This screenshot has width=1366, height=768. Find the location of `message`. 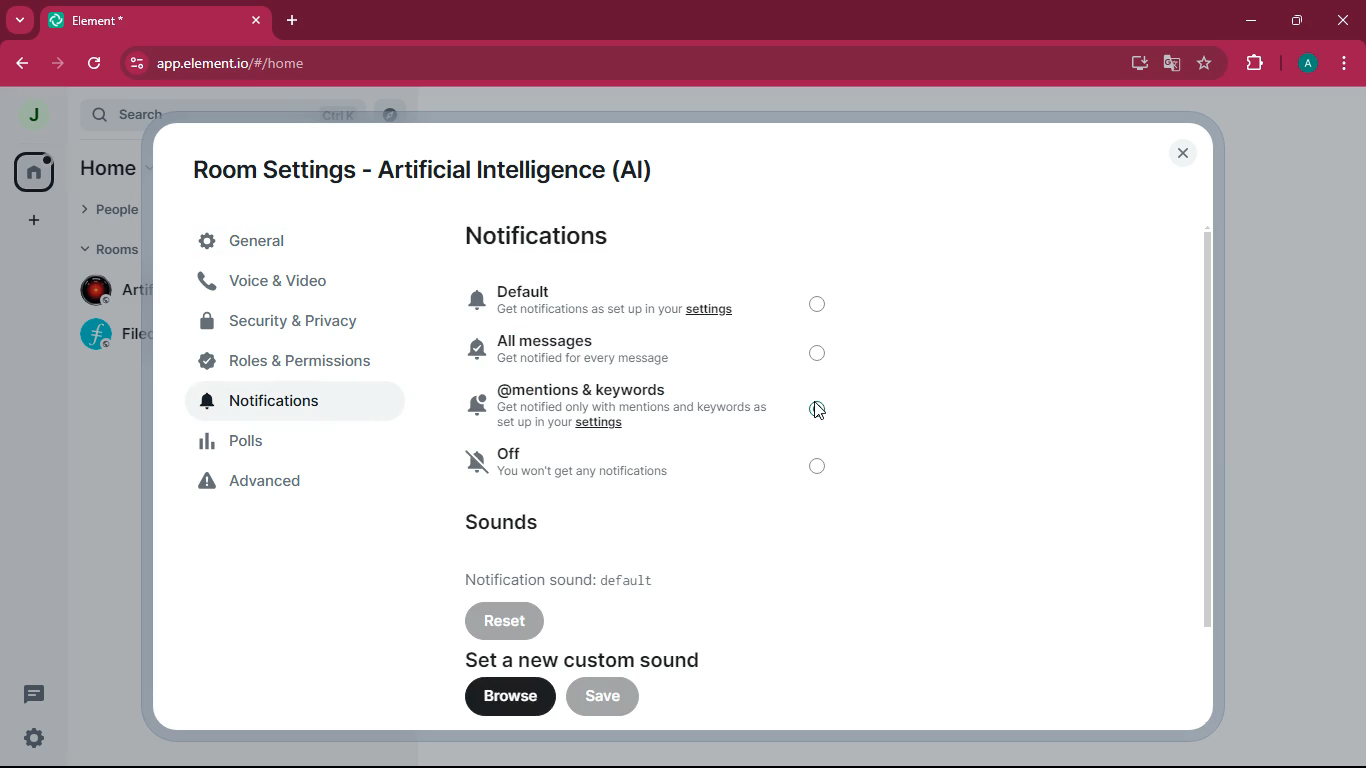

message is located at coordinates (32, 694).